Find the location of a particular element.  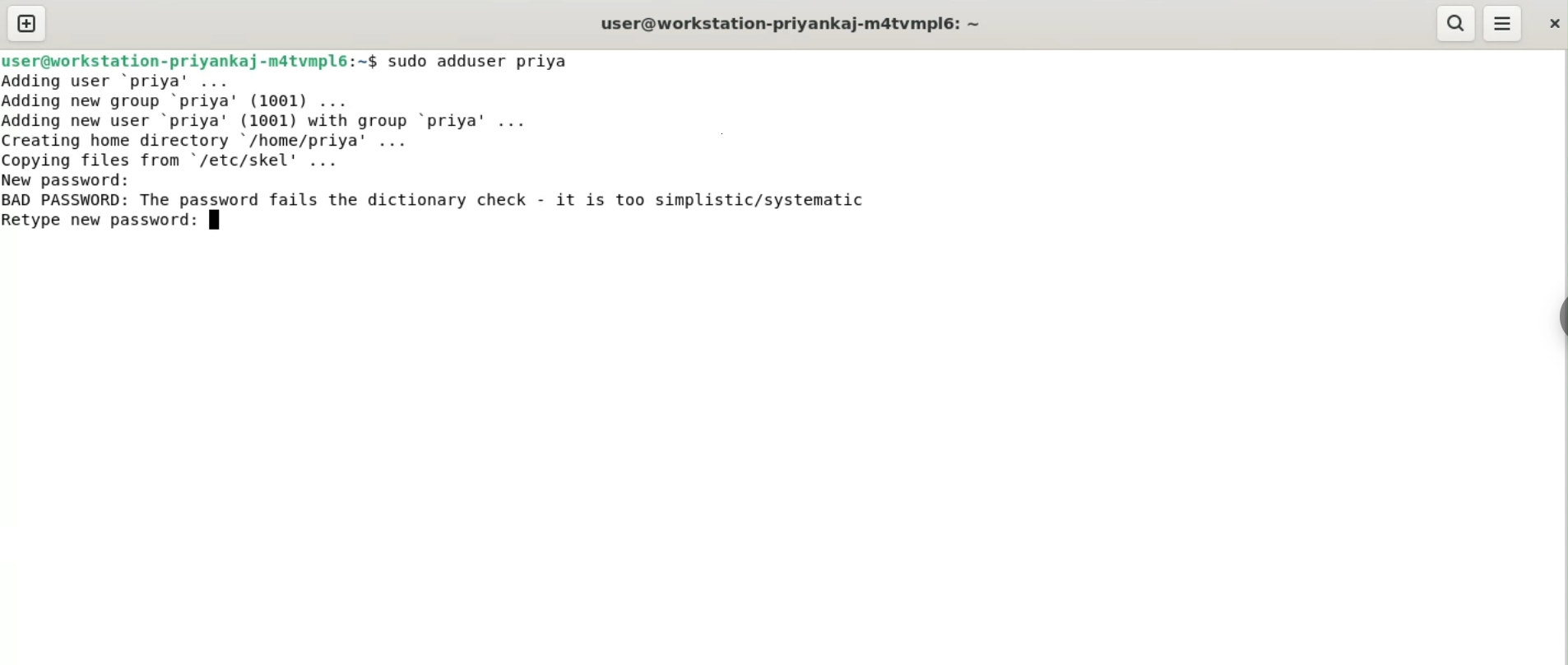

user@workstation-priyankaj-m4tvmpl6: ~ is located at coordinates (791, 26).